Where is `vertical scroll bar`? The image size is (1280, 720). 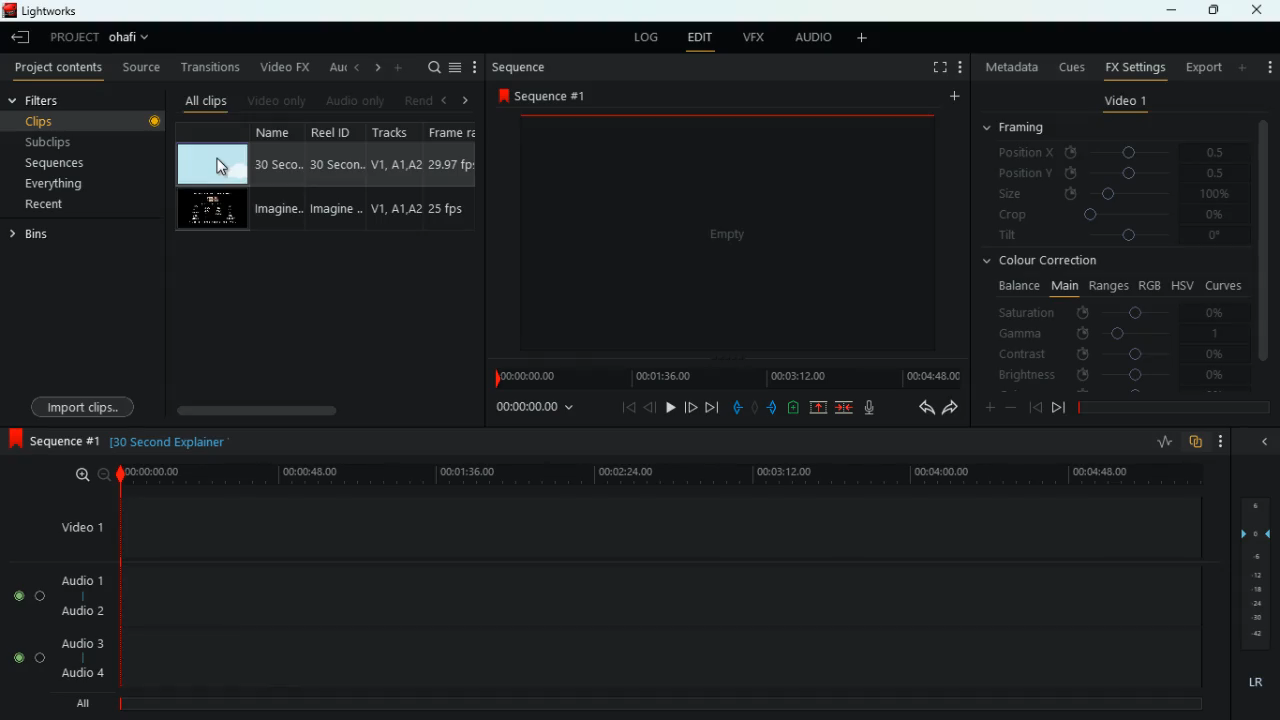
vertical scroll bar is located at coordinates (1265, 241).